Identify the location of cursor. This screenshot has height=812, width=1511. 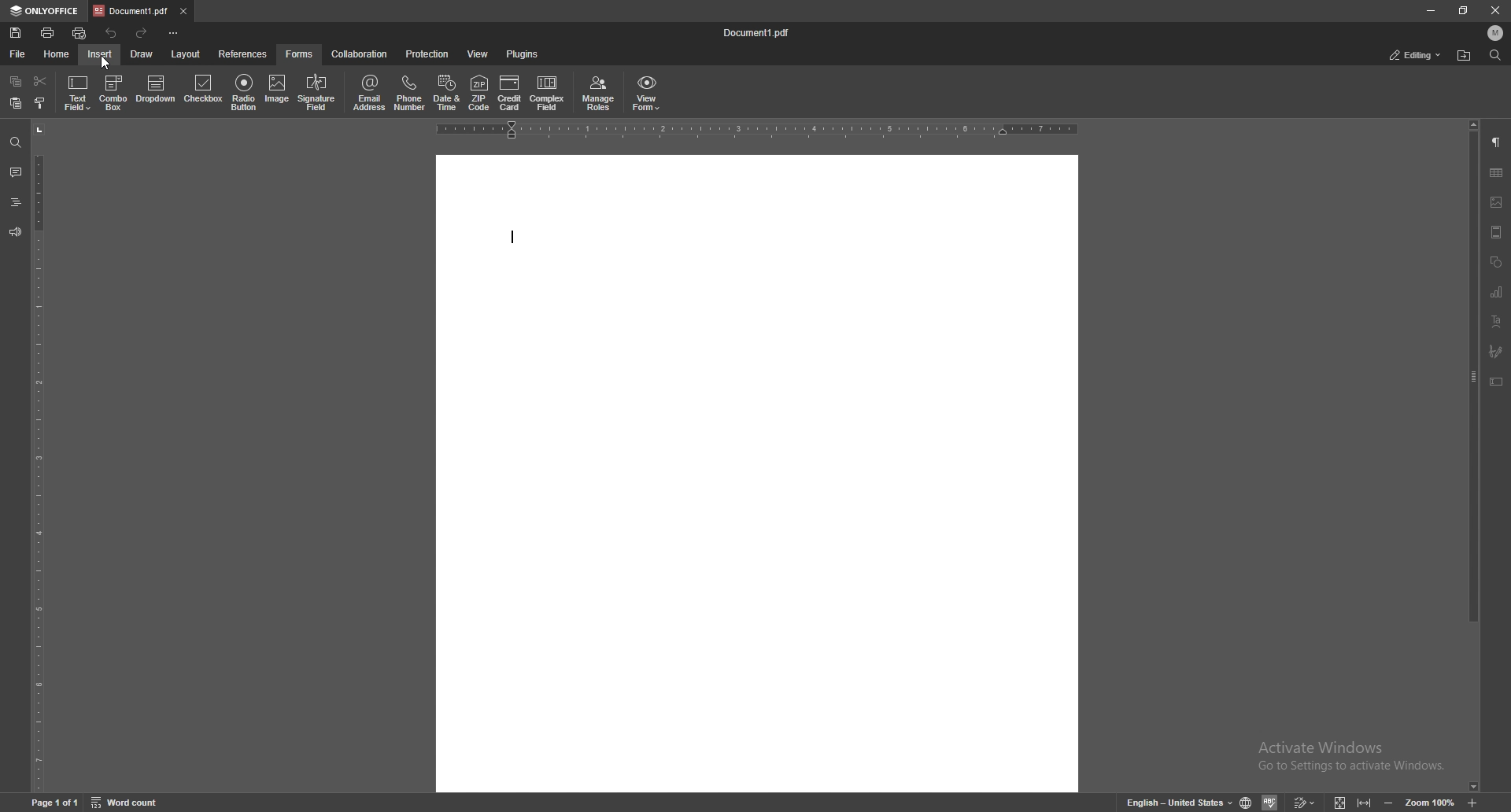
(112, 67).